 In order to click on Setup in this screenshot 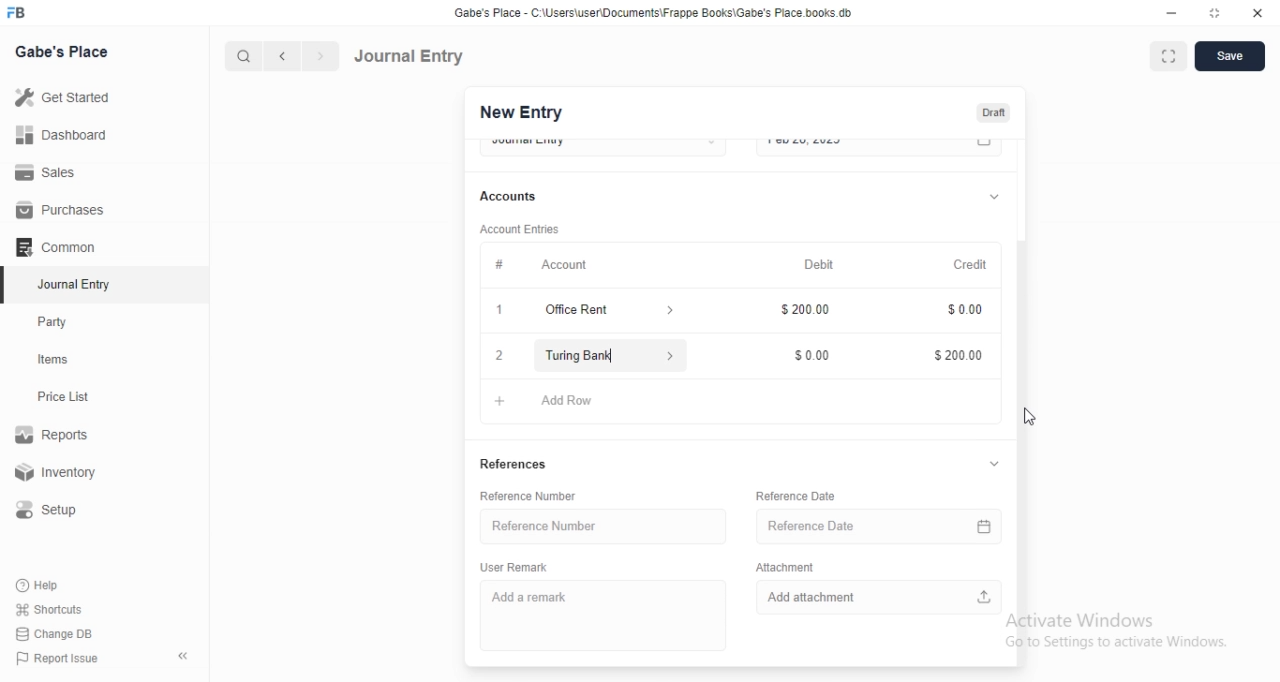, I will do `click(54, 510)`.